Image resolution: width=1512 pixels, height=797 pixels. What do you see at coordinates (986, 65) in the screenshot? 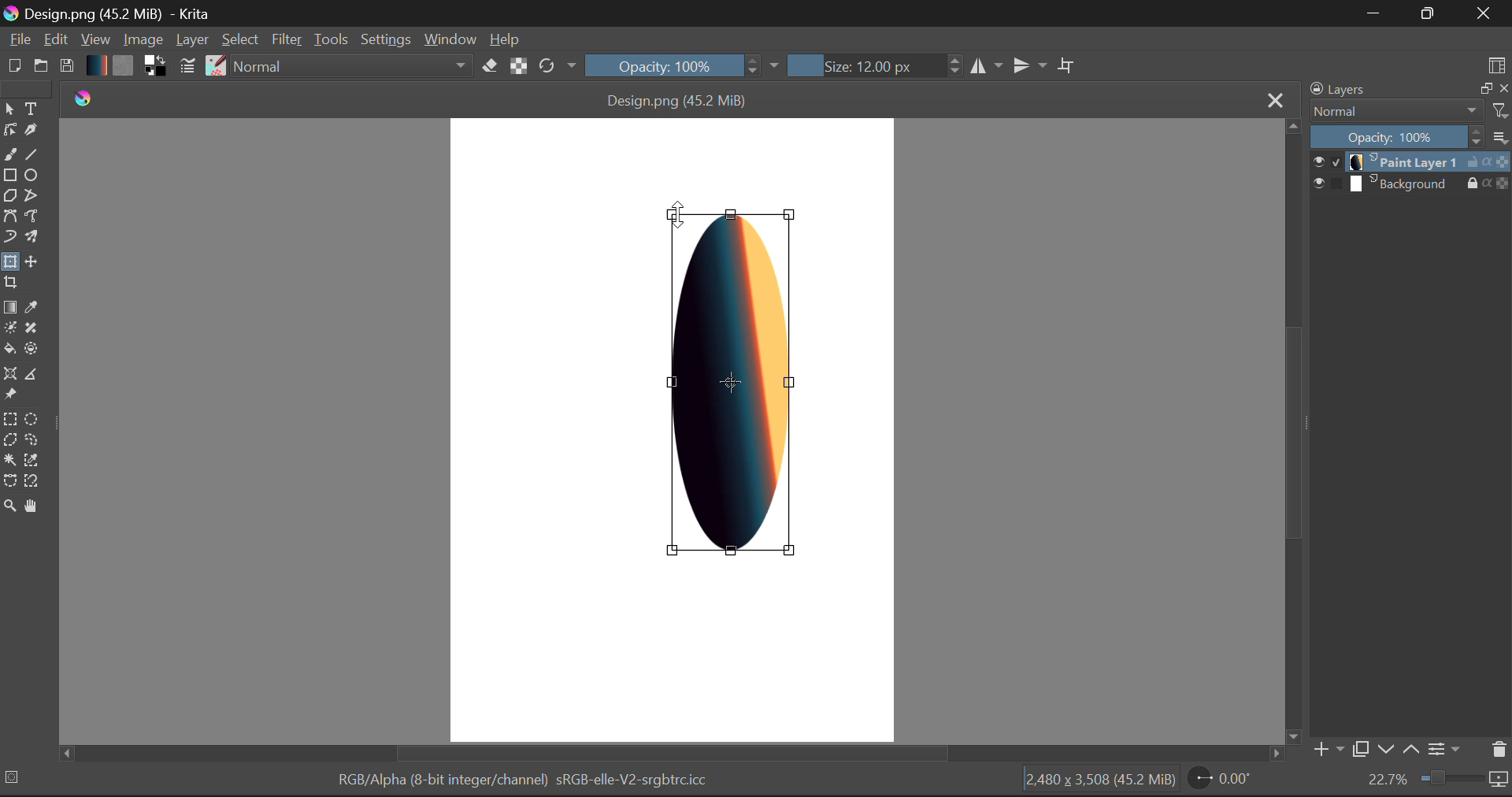
I see `Vertical Mirror Flip` at bounding box center [986, 65].